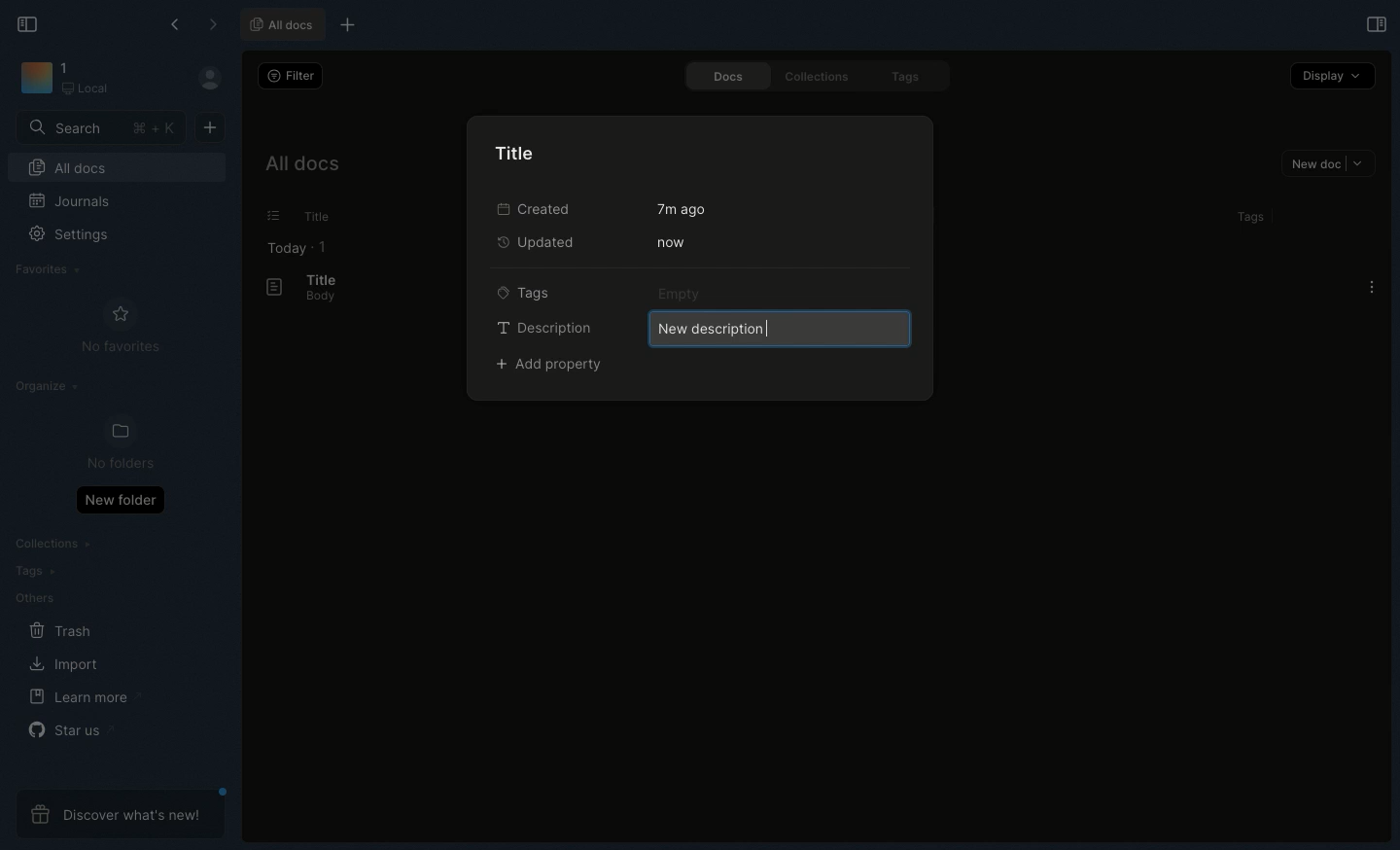  I want to click on Now, so click(669, 242).